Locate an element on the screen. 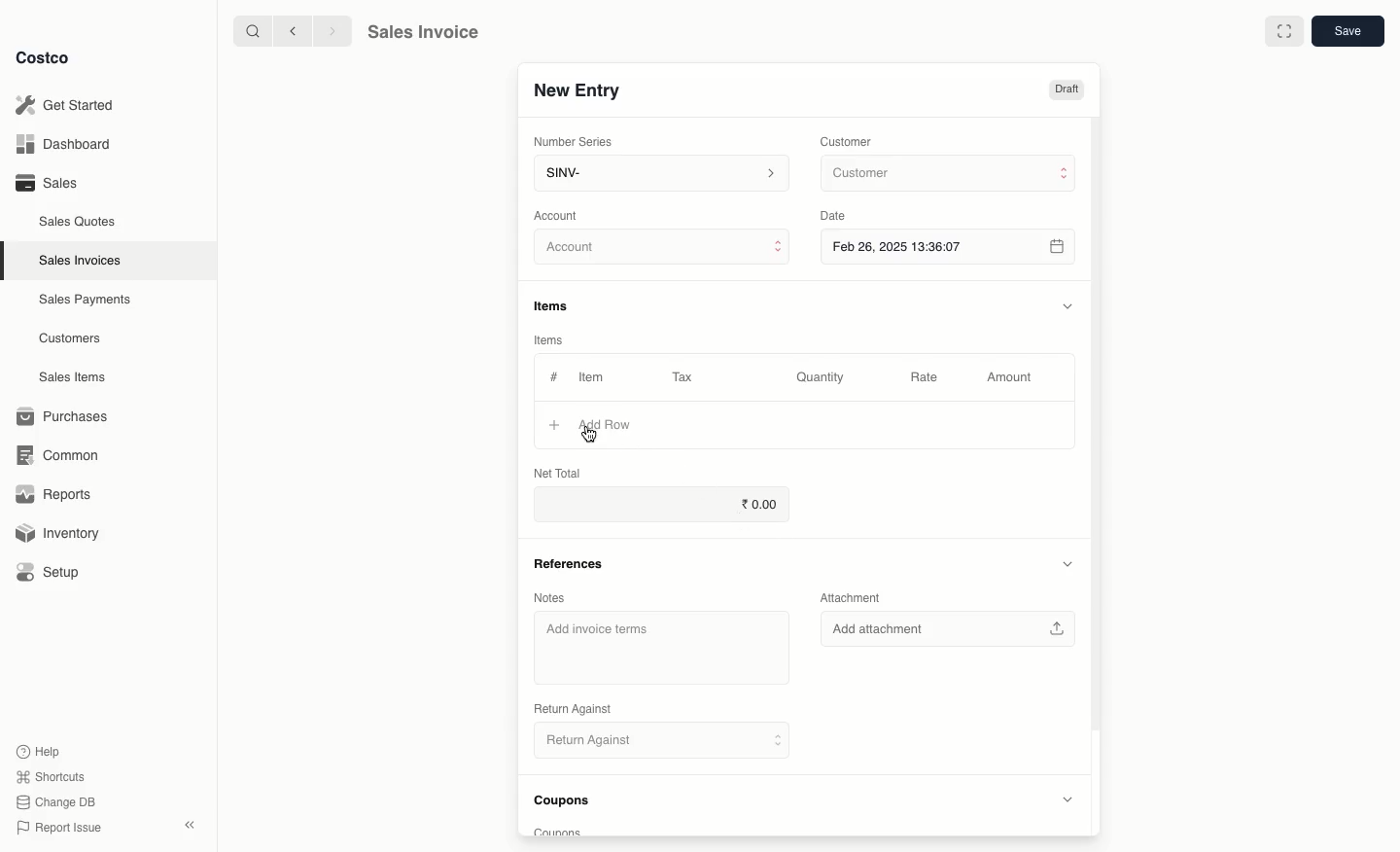 The width and height of the screenshot is (1400, 852). Customer is located at coordinates (849, 140).